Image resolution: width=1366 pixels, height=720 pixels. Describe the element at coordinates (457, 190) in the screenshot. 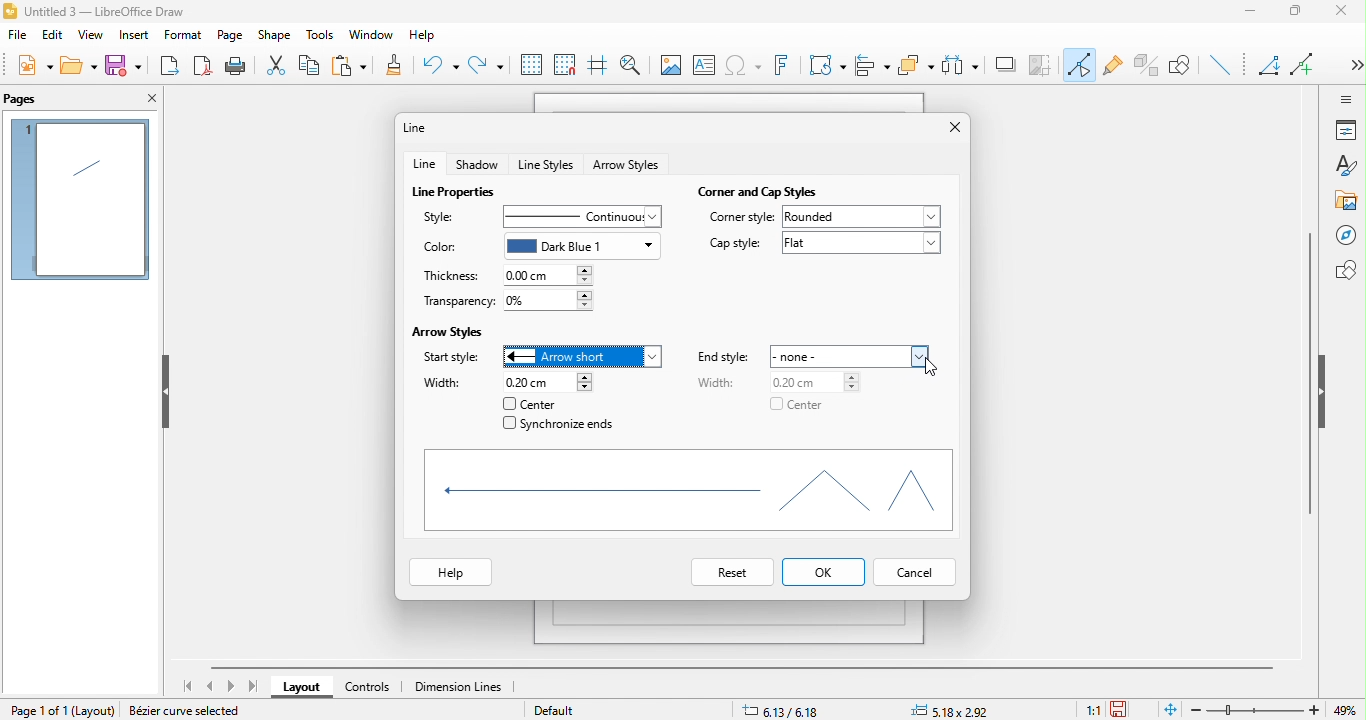

I see `line properties` at that location.